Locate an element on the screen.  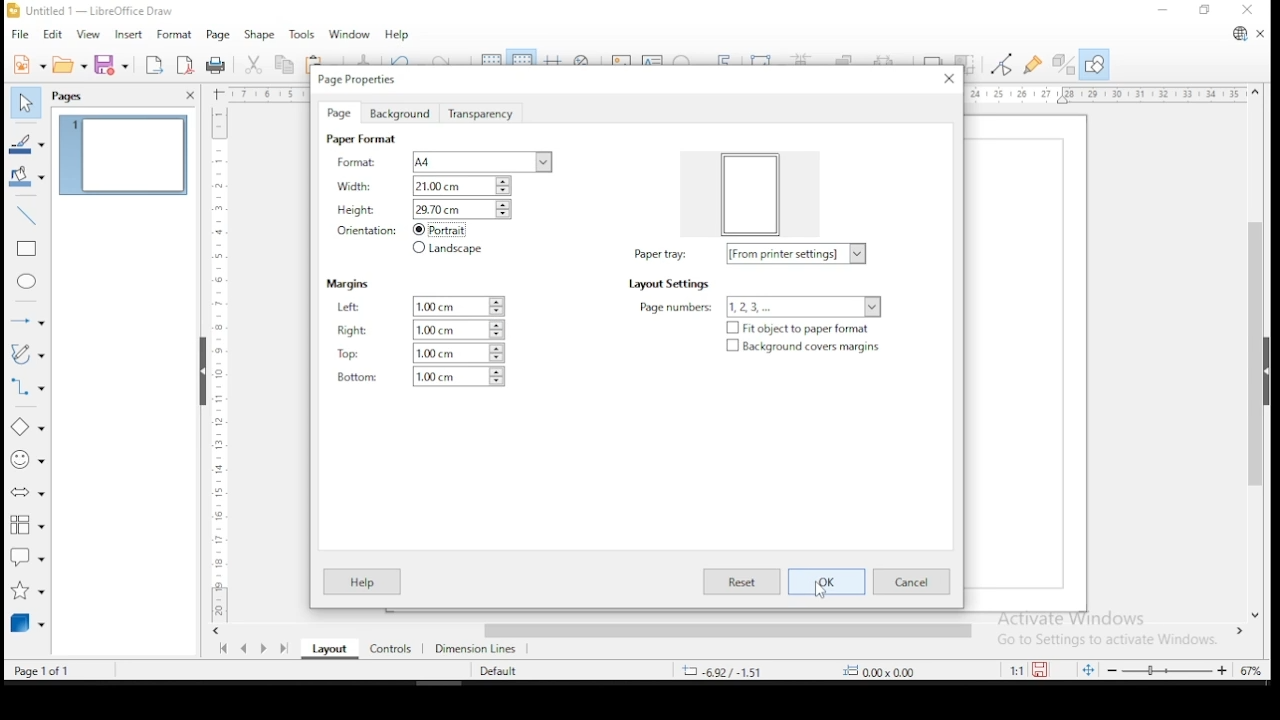
3D objects is located at coordinates (27, 624).